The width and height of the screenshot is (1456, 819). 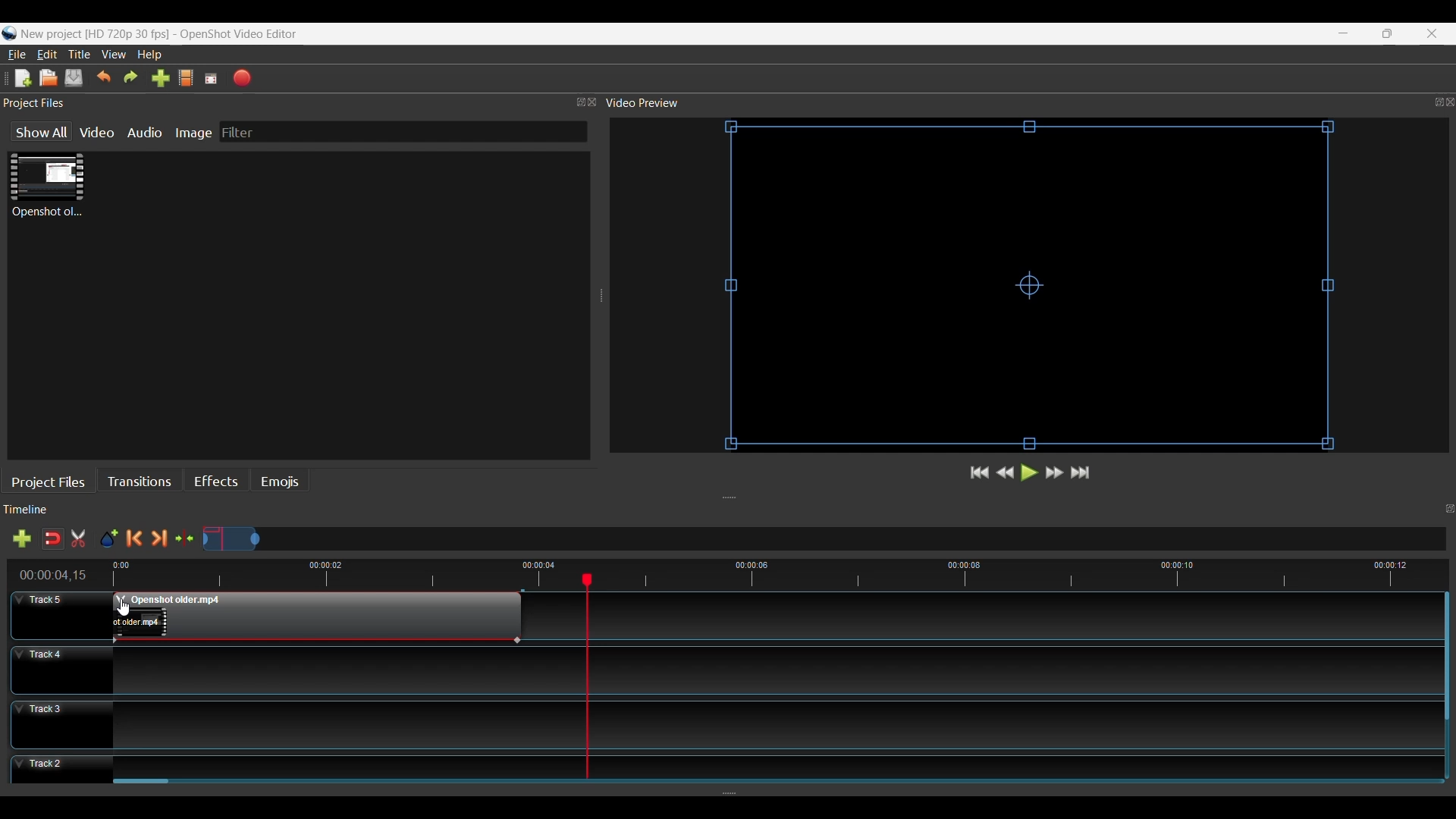 What do you see at coordinates (279, 482) in the screenshot?
I see `Emojis` at bounding box center [279, 482].